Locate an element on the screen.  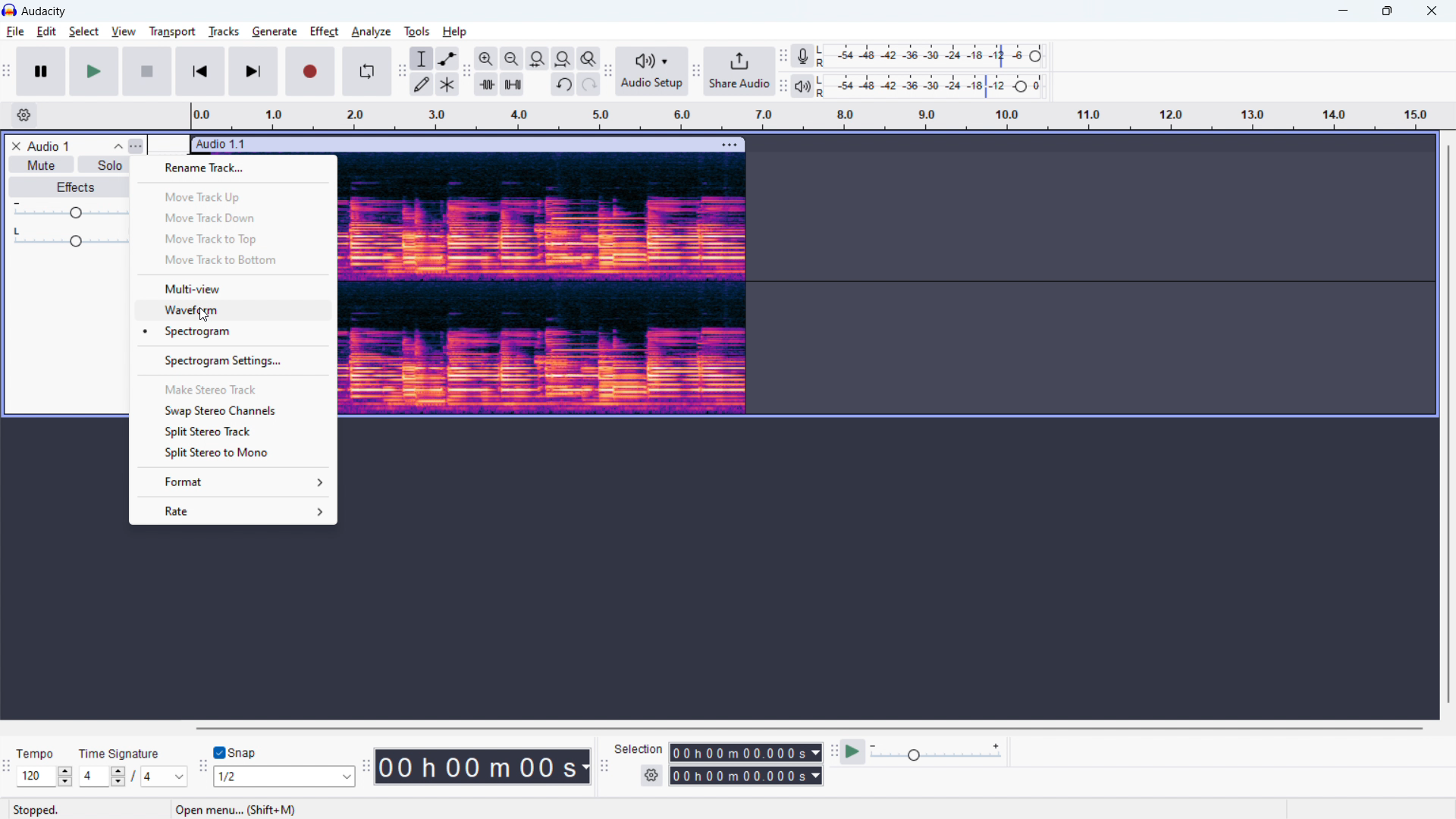
skip to start is located at coordinates (201, 72).